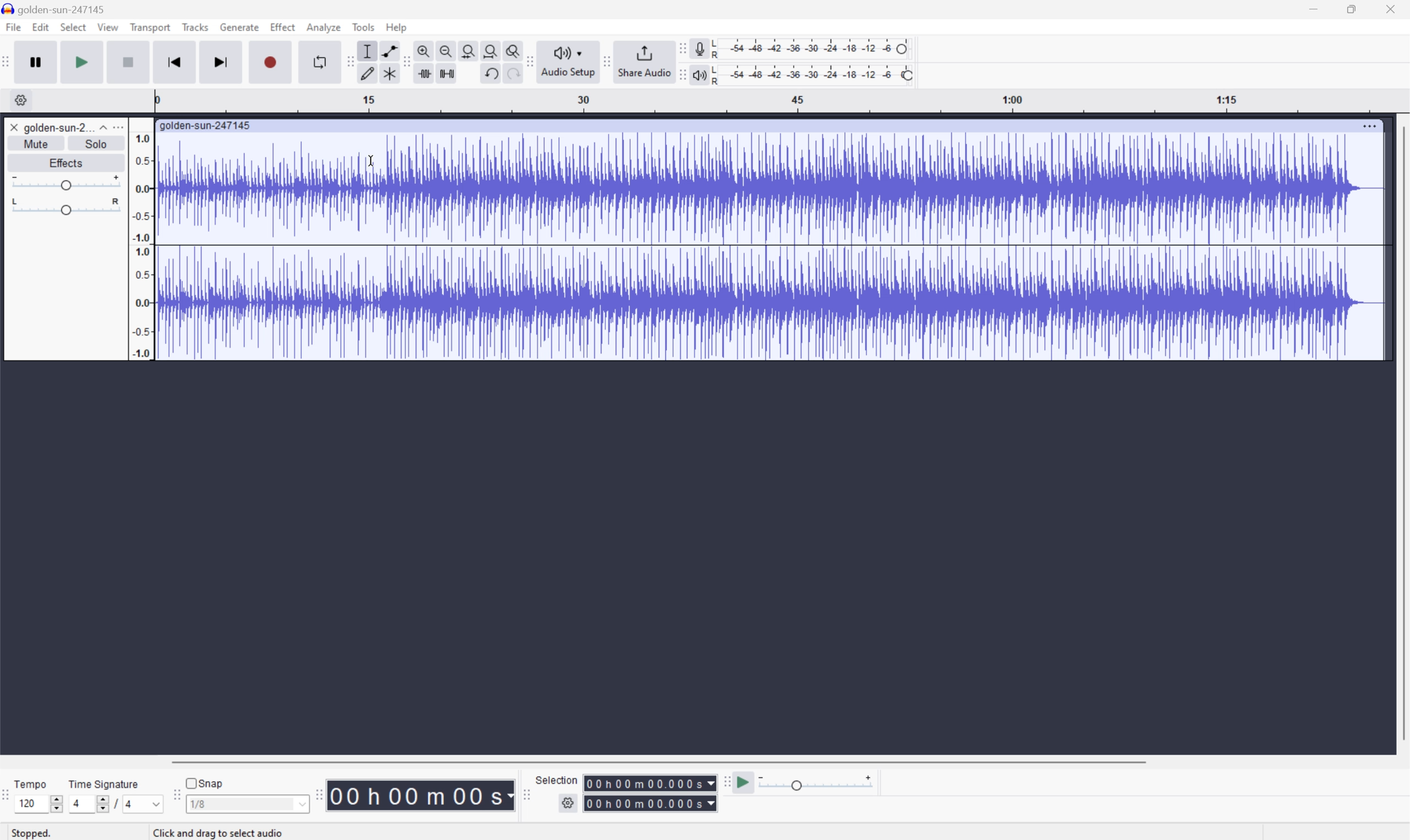  What do you see at coordinates (104, 782) in the screenshot?
I see `Time signature` at bounding box center [104, 782].